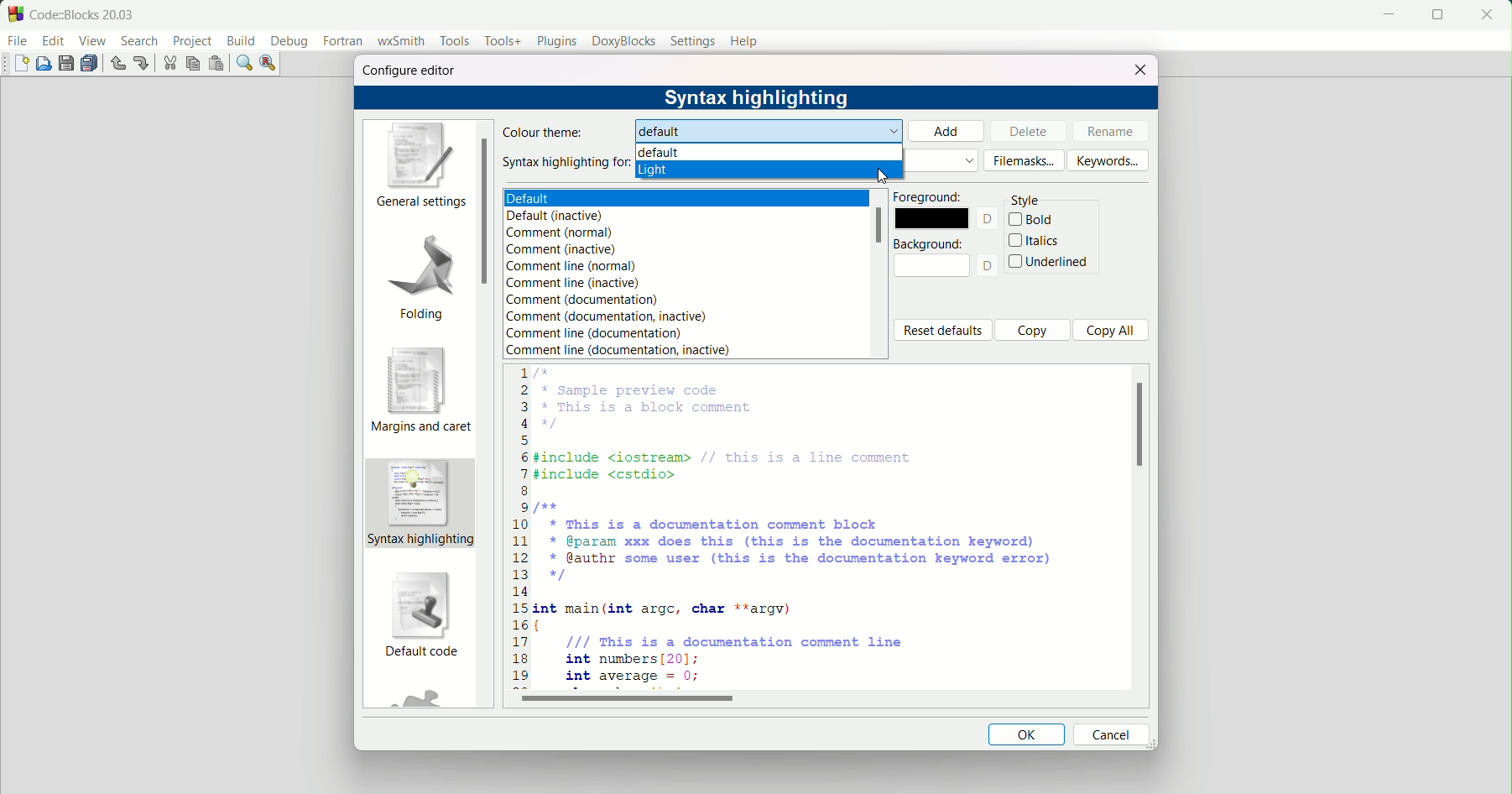 The image size is (1512, 794). What do you see at coordinates (1028, 201) in the screenshot?
I see `style` at bounding box center [1028, 201].